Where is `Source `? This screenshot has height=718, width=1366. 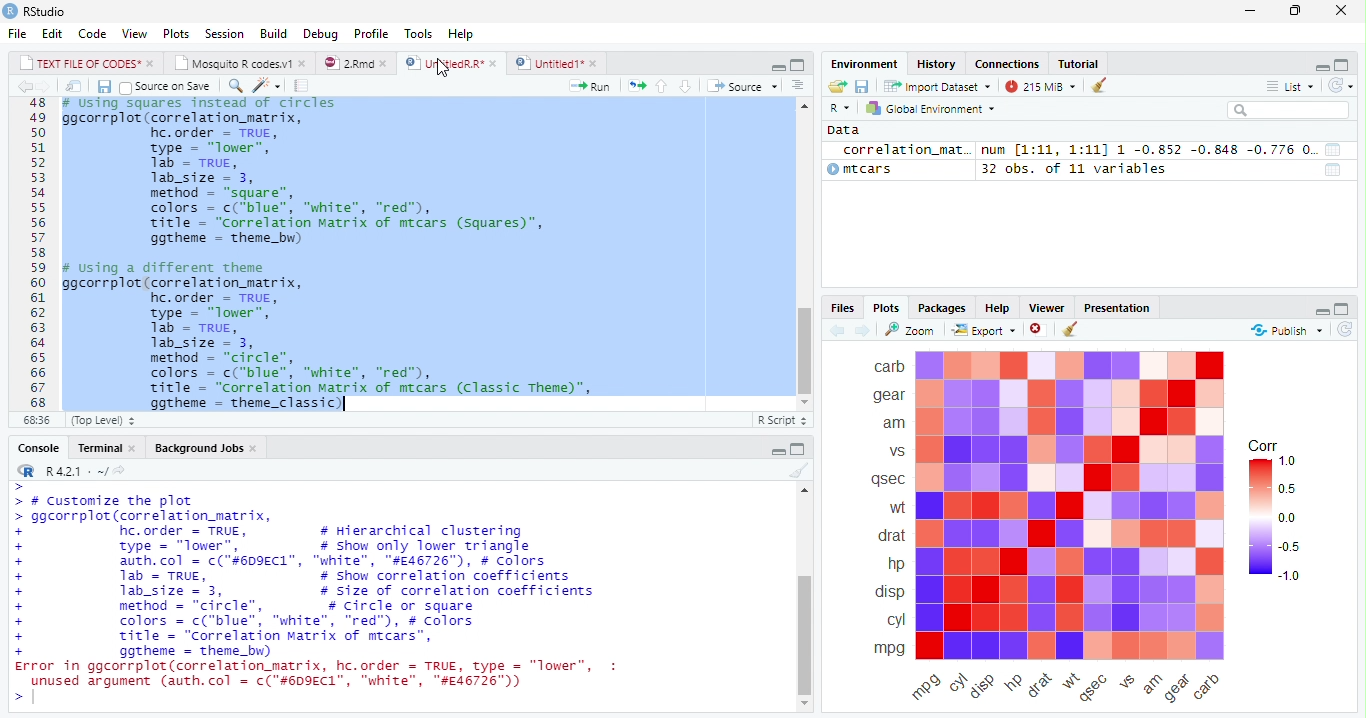 Source  is located at coordinates (748, 87).